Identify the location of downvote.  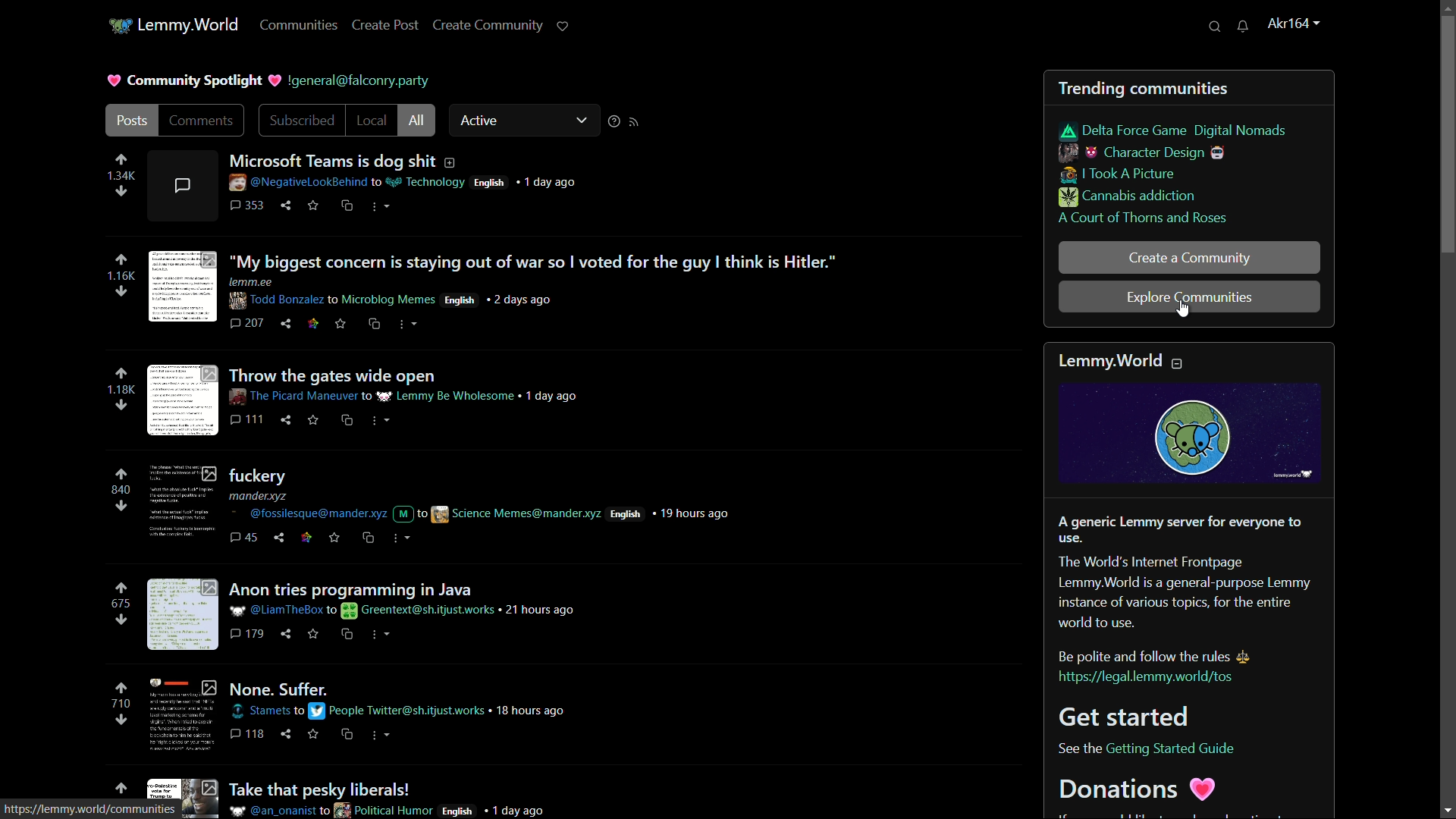
(121, 191).